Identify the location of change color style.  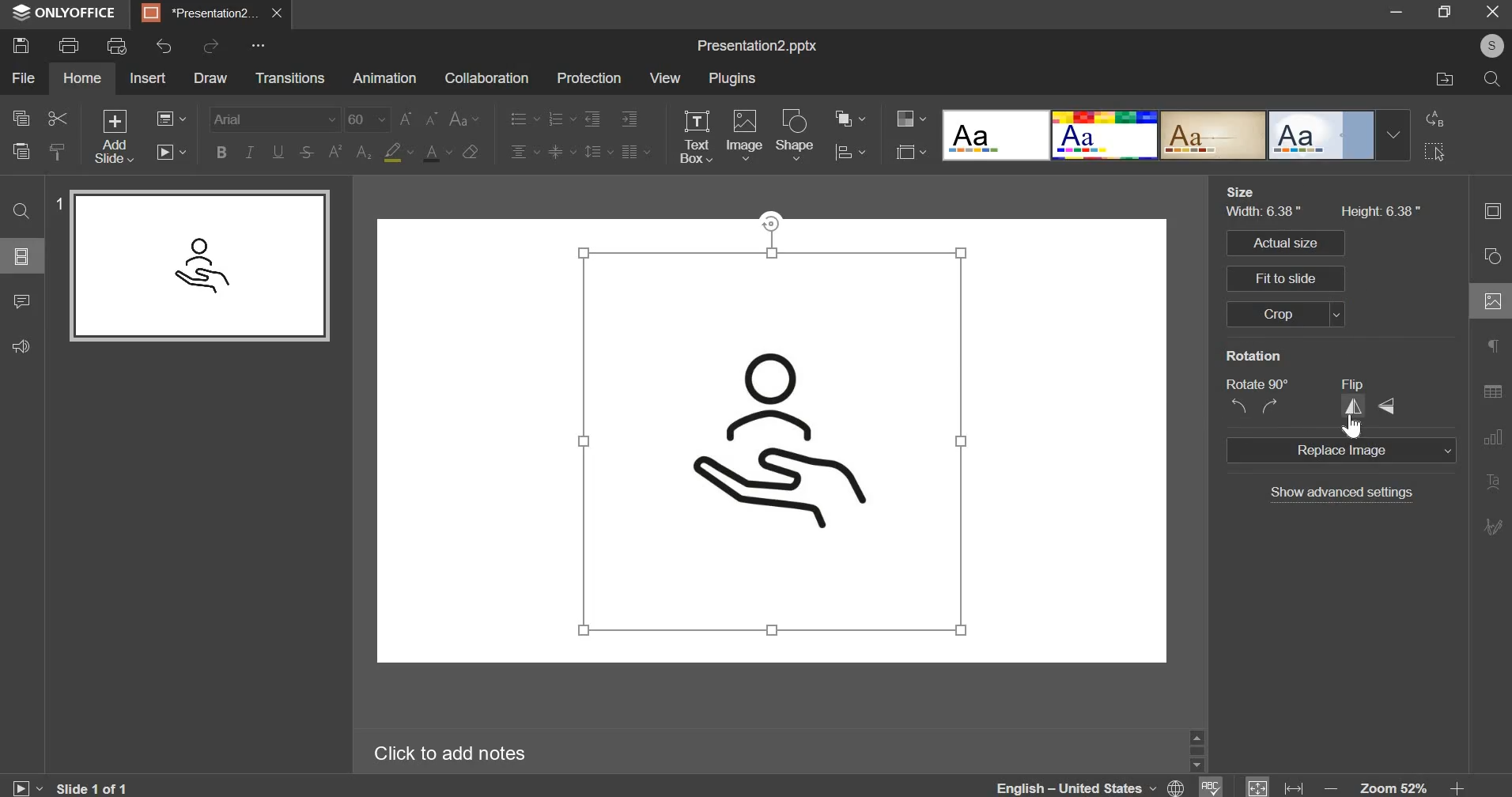
(911, 119).